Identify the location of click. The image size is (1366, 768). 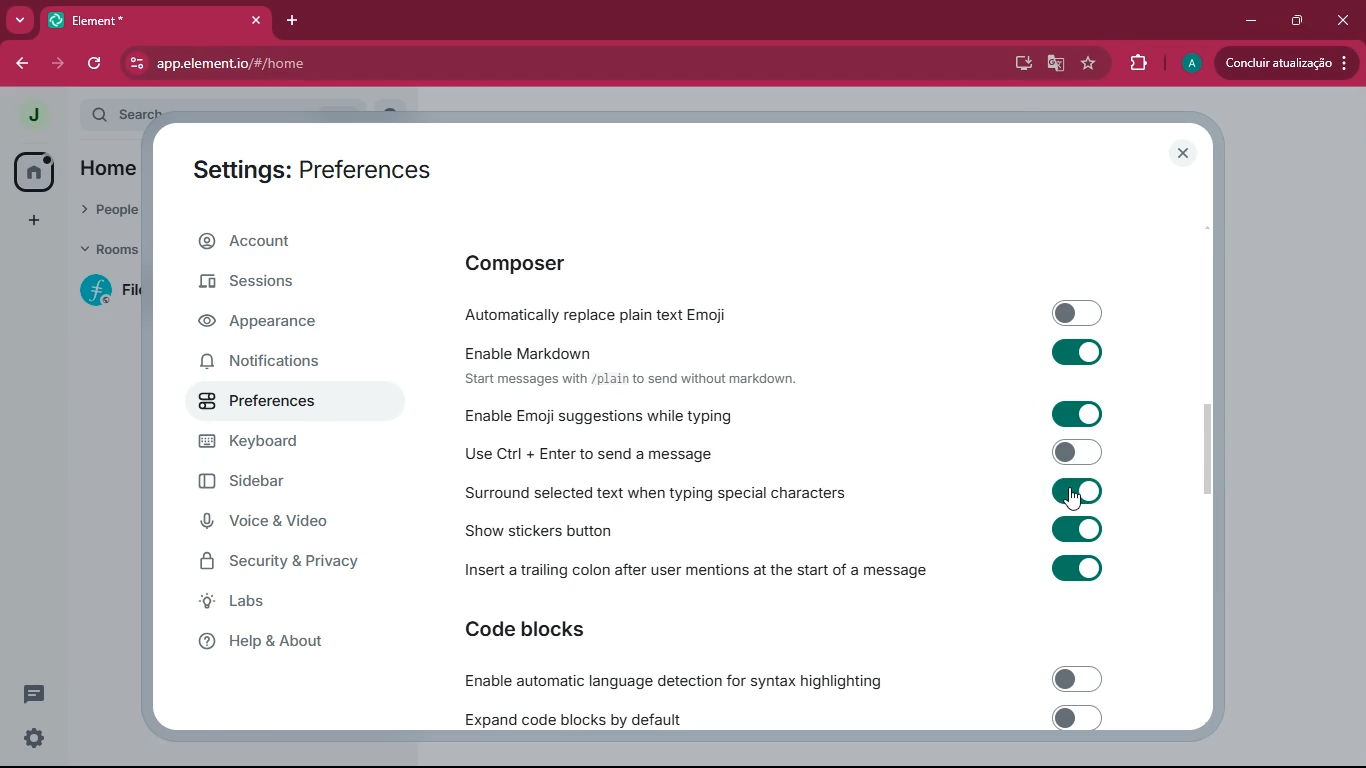
(1346, 22).